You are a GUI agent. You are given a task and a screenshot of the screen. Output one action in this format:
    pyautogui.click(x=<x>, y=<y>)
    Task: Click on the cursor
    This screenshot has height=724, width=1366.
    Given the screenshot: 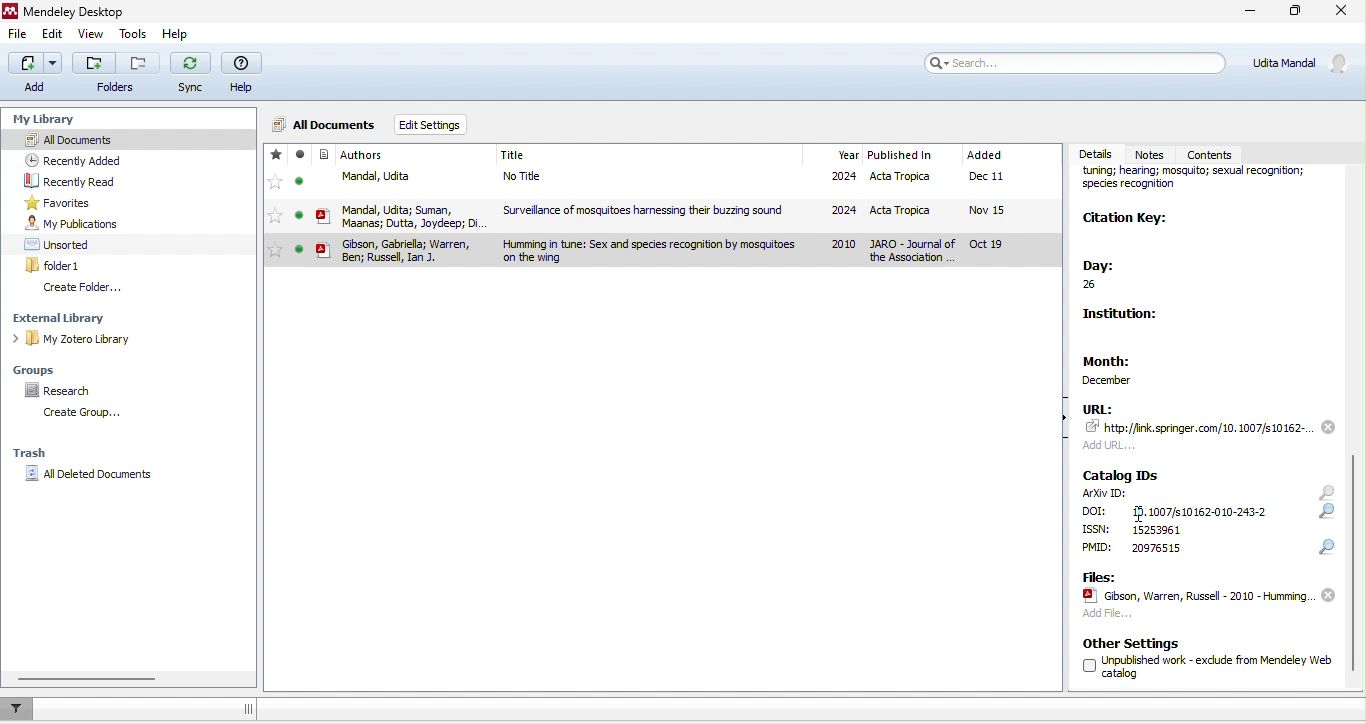 What is the action you would take?
    pyautogui.click(x=1140, y=515)
    